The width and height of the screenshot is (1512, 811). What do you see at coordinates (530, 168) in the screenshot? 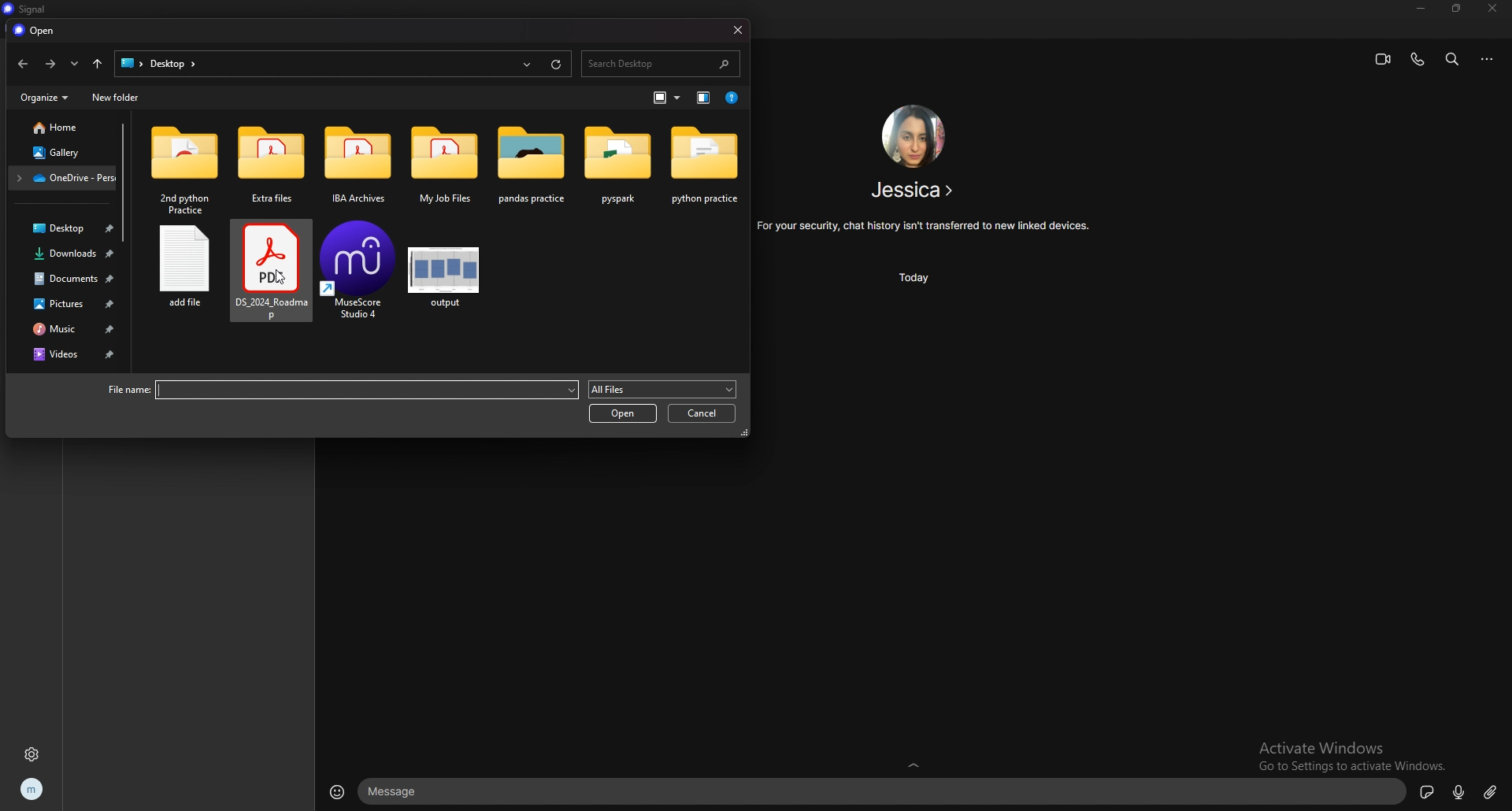
I see `folder` at bounding box center [530, 168].